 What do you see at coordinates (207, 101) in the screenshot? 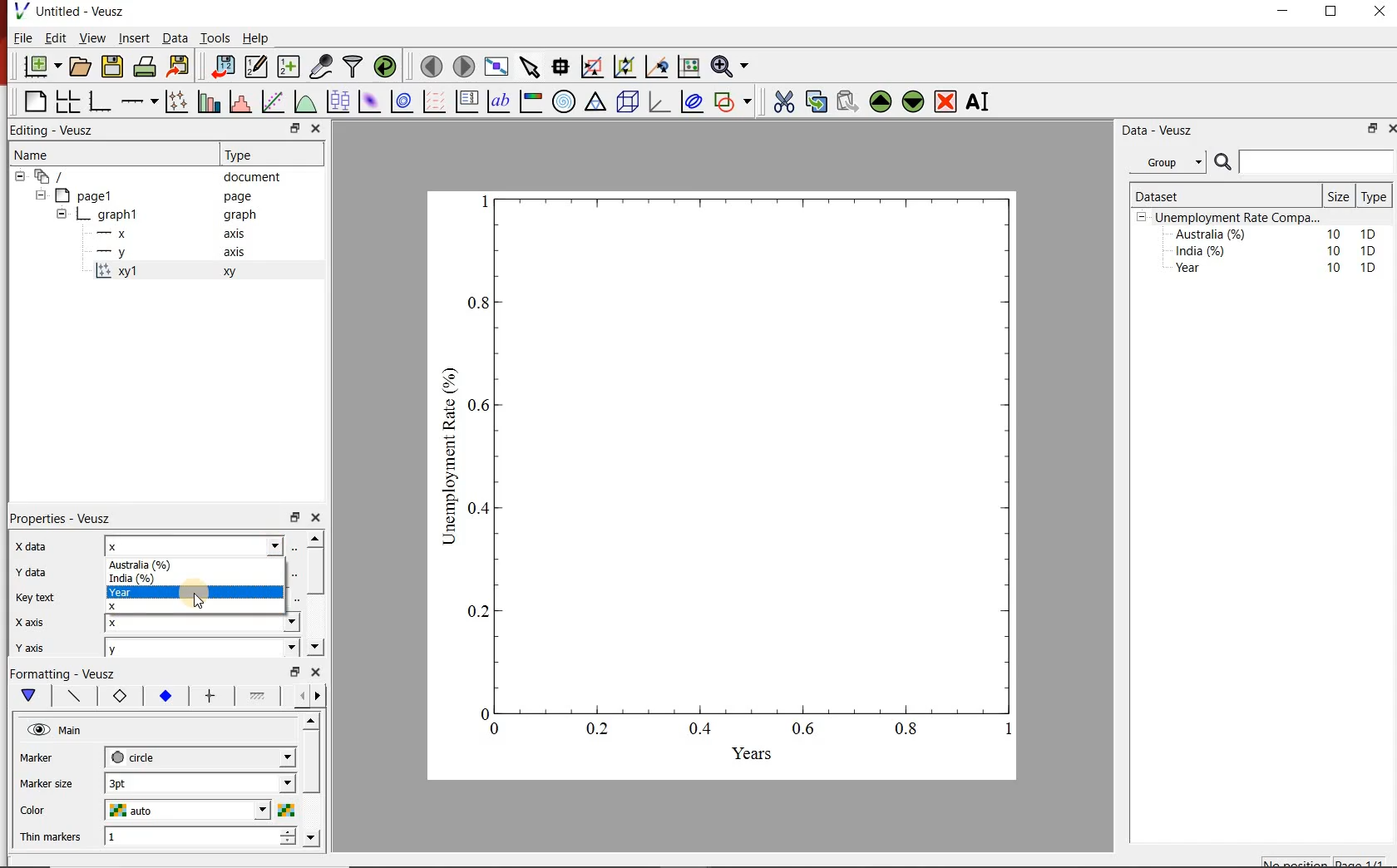
I see `bar graphs` at bounding box center [207, 101].